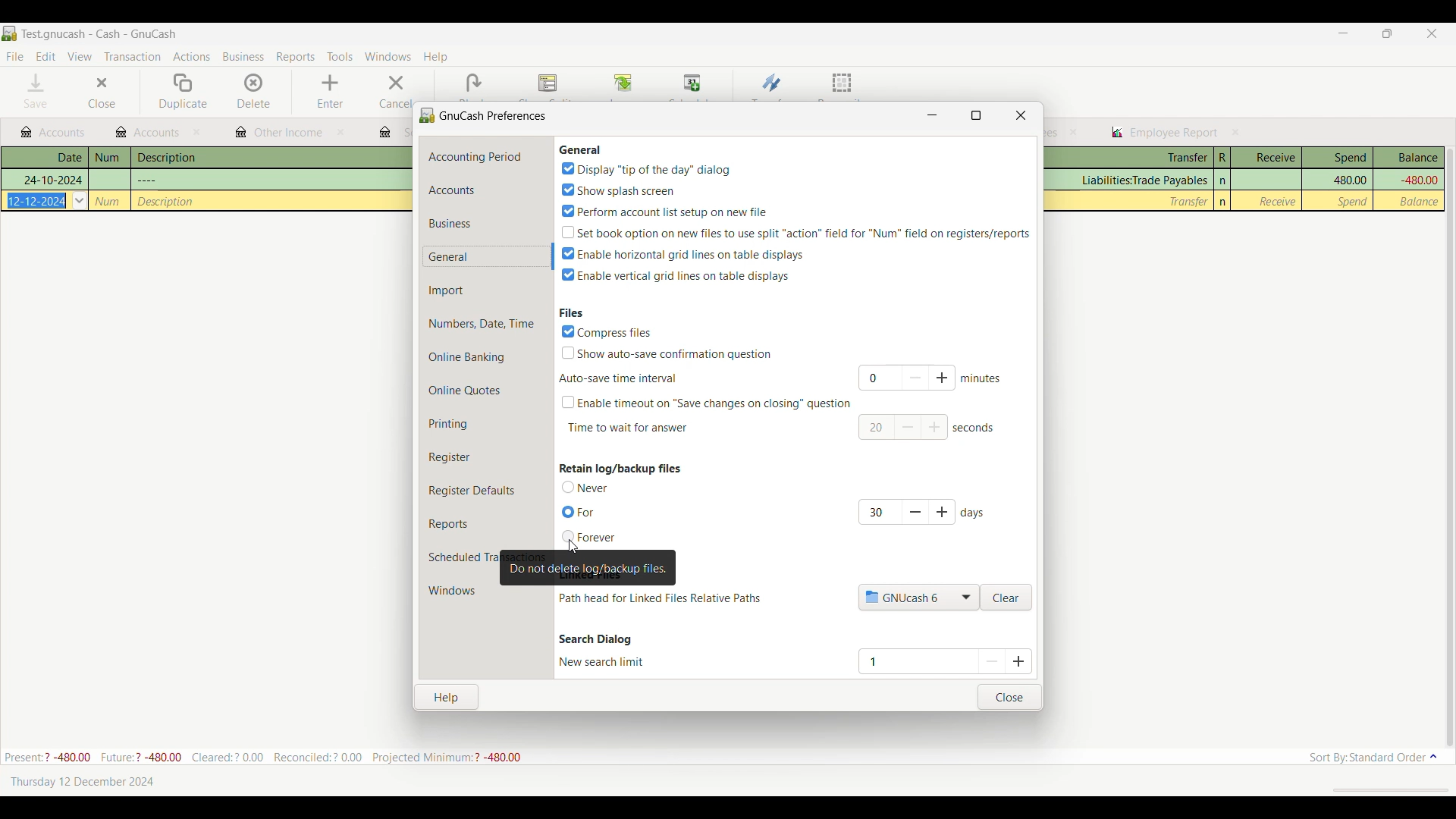  I want to click on Section title, so click(571, 312).